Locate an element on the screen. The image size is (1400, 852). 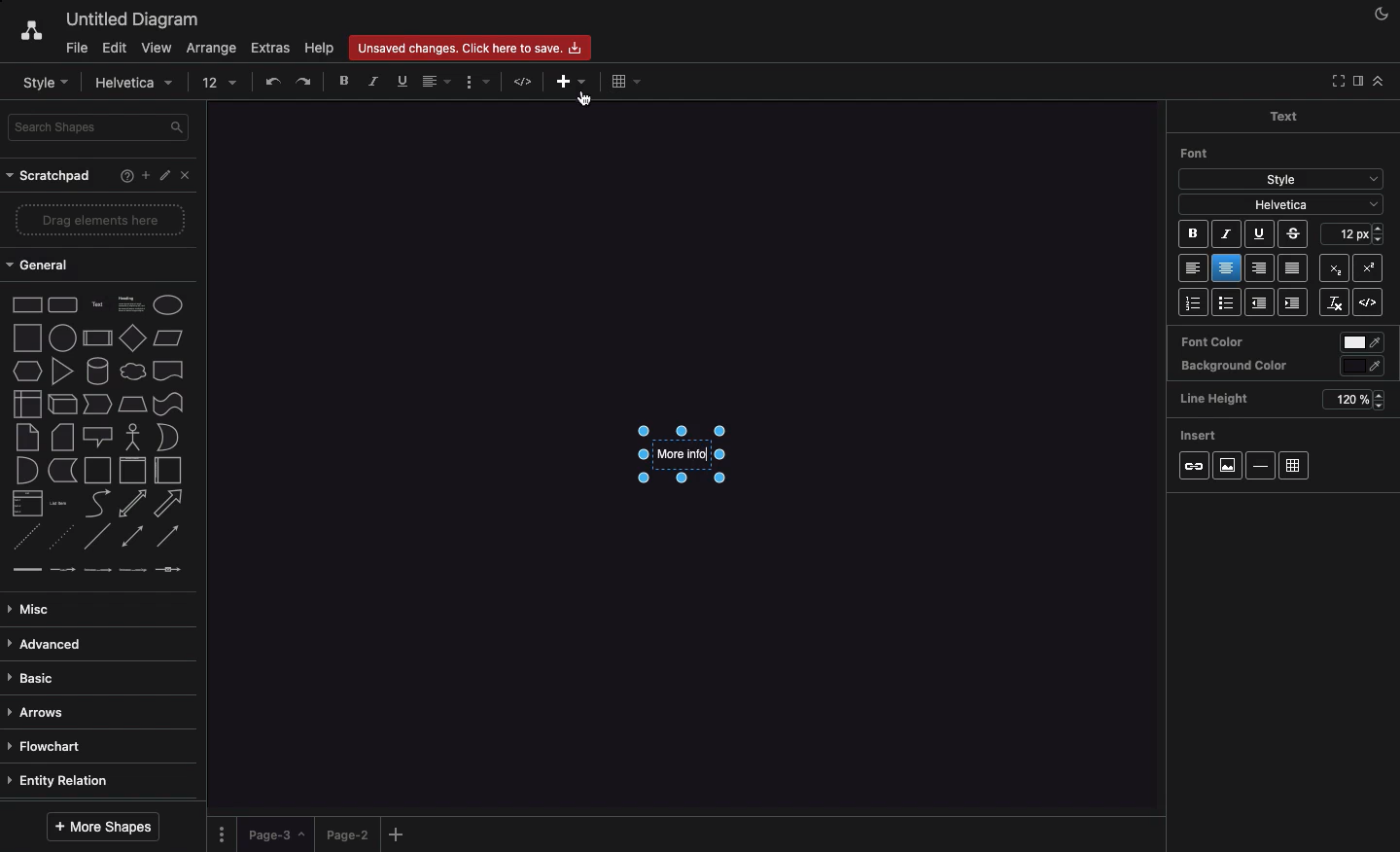
note is located at coordinates (27, 438).